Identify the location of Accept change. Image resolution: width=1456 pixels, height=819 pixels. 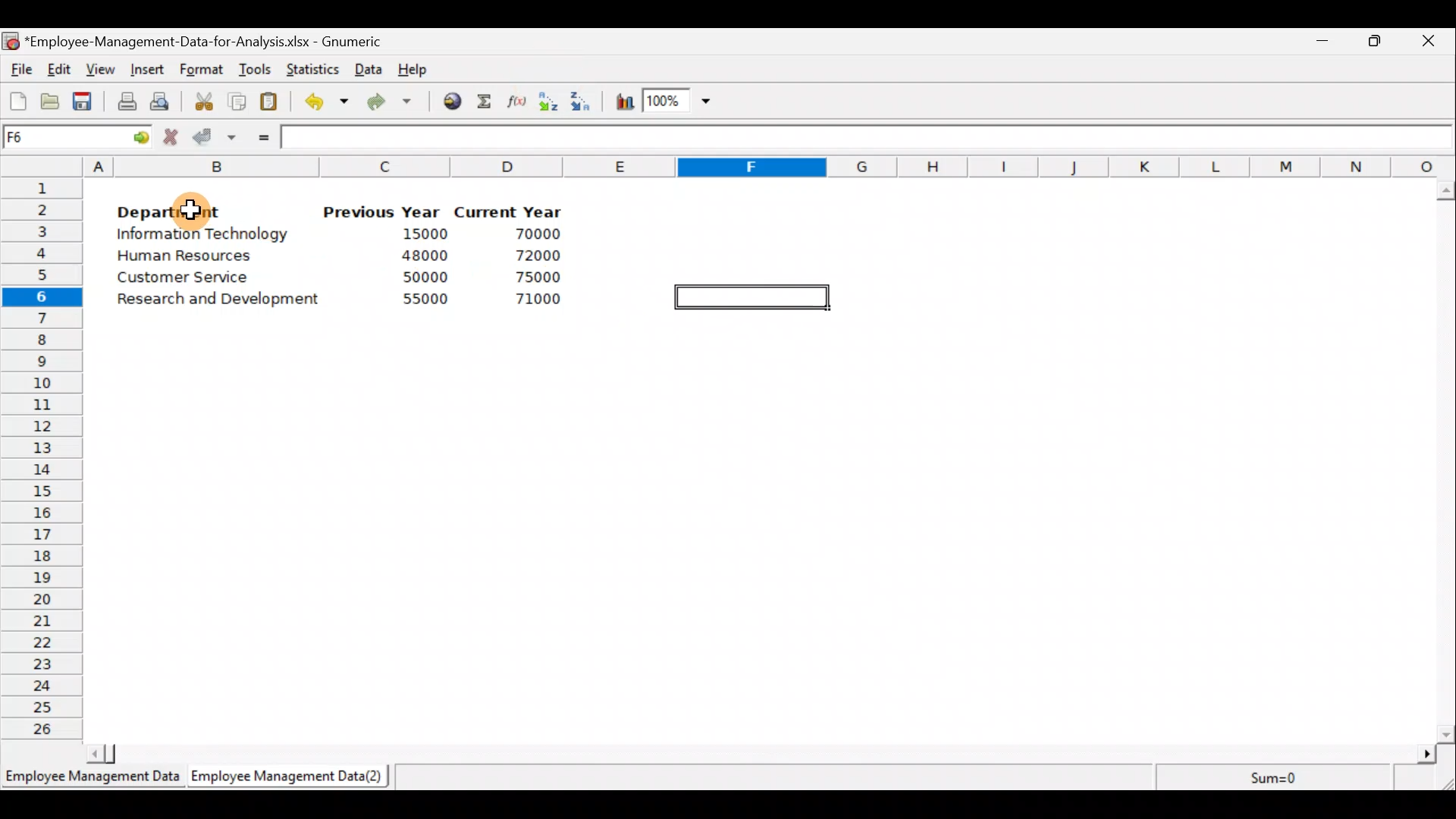
(215, 136).